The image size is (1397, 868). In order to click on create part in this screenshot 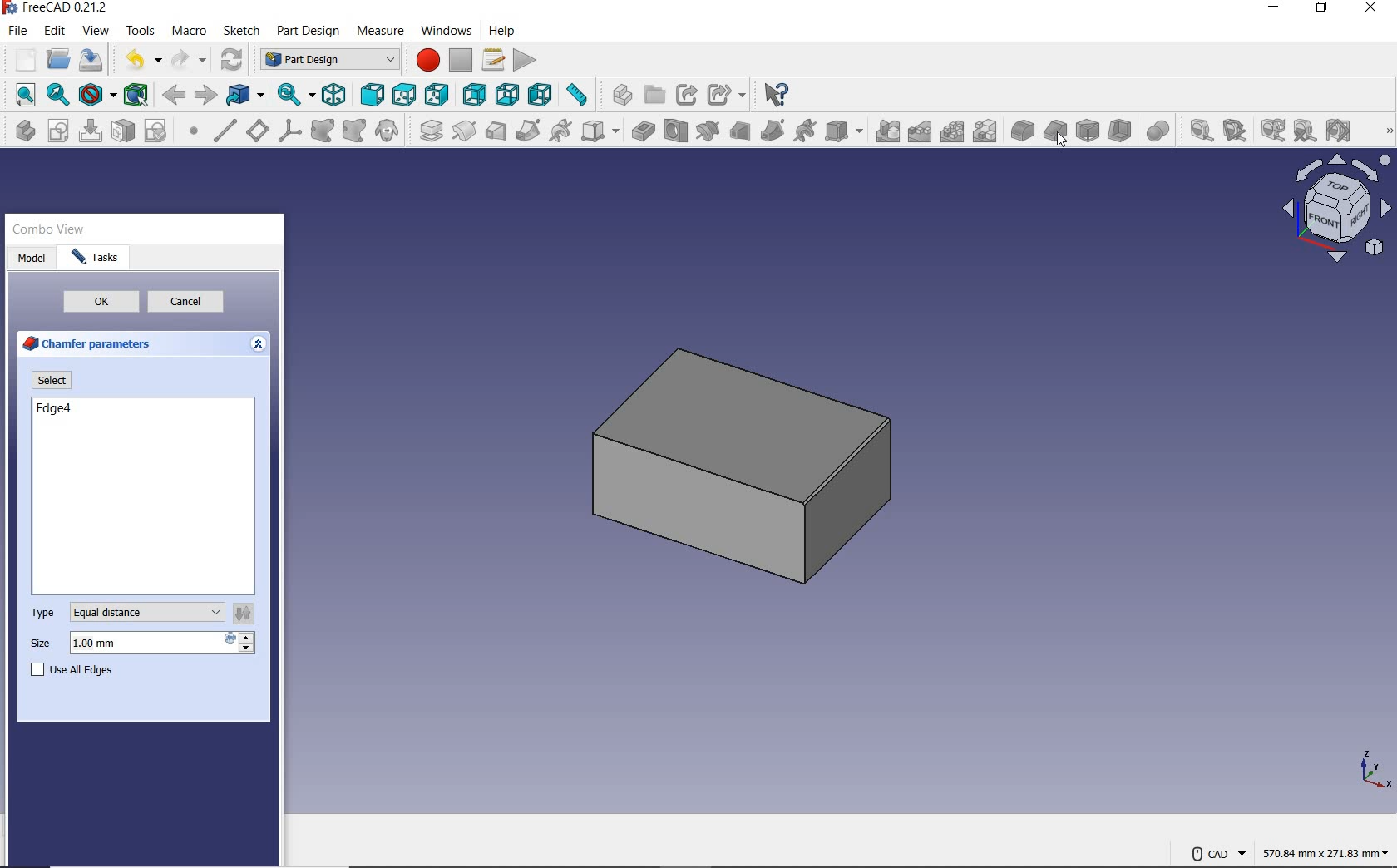, I will do `click(620, 96)`.